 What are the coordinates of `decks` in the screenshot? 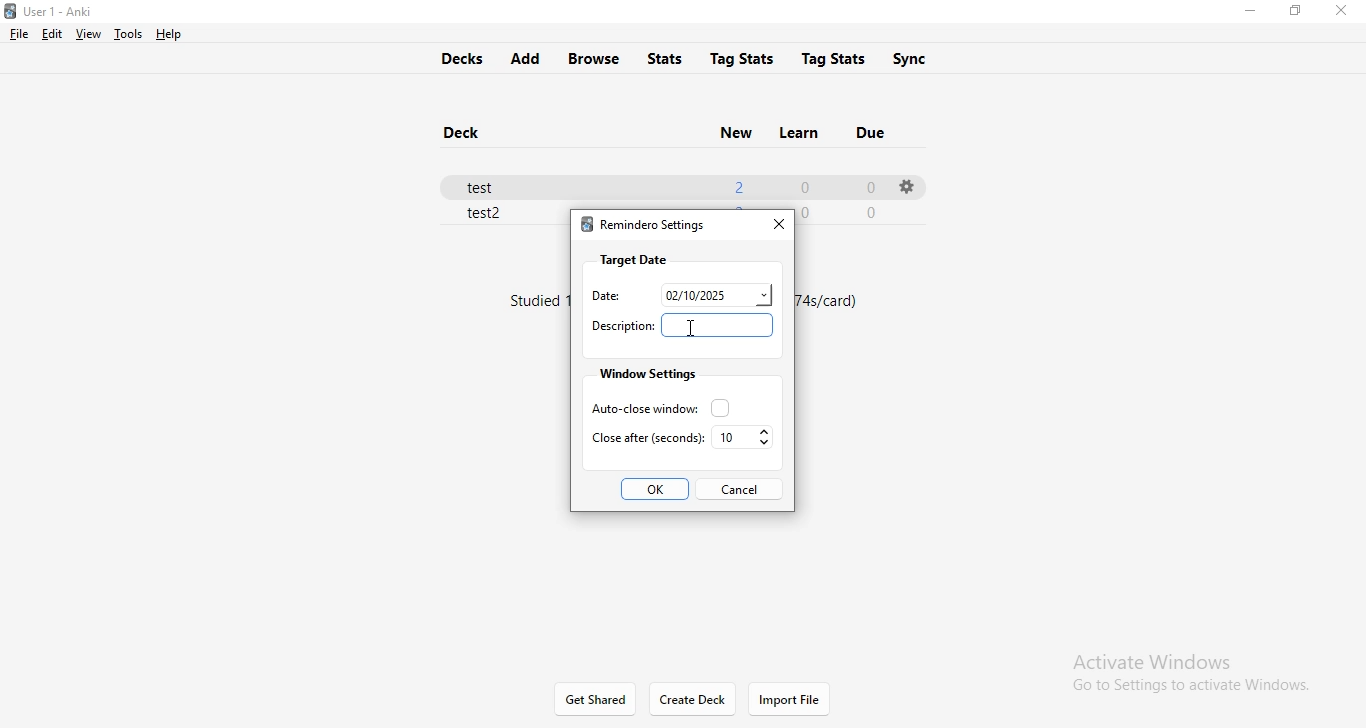 It's located at (457, 56).